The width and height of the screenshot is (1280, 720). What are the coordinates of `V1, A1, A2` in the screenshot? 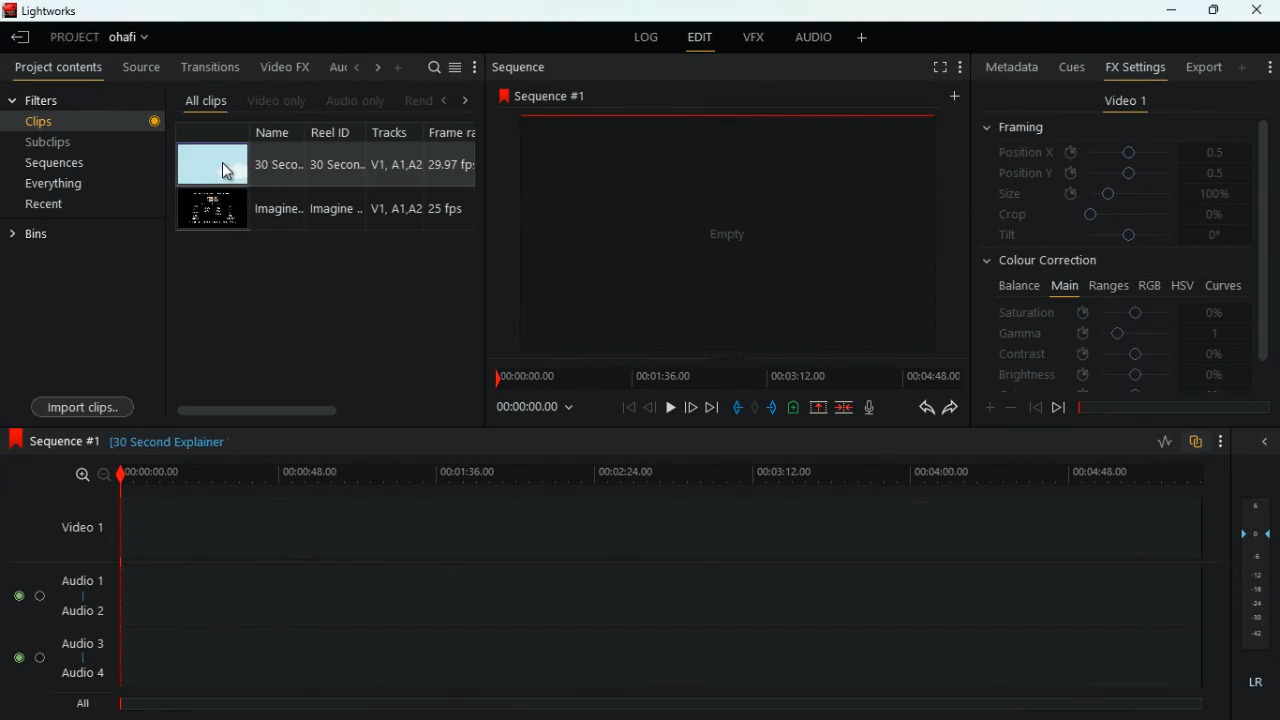 It's located at (395, 161).